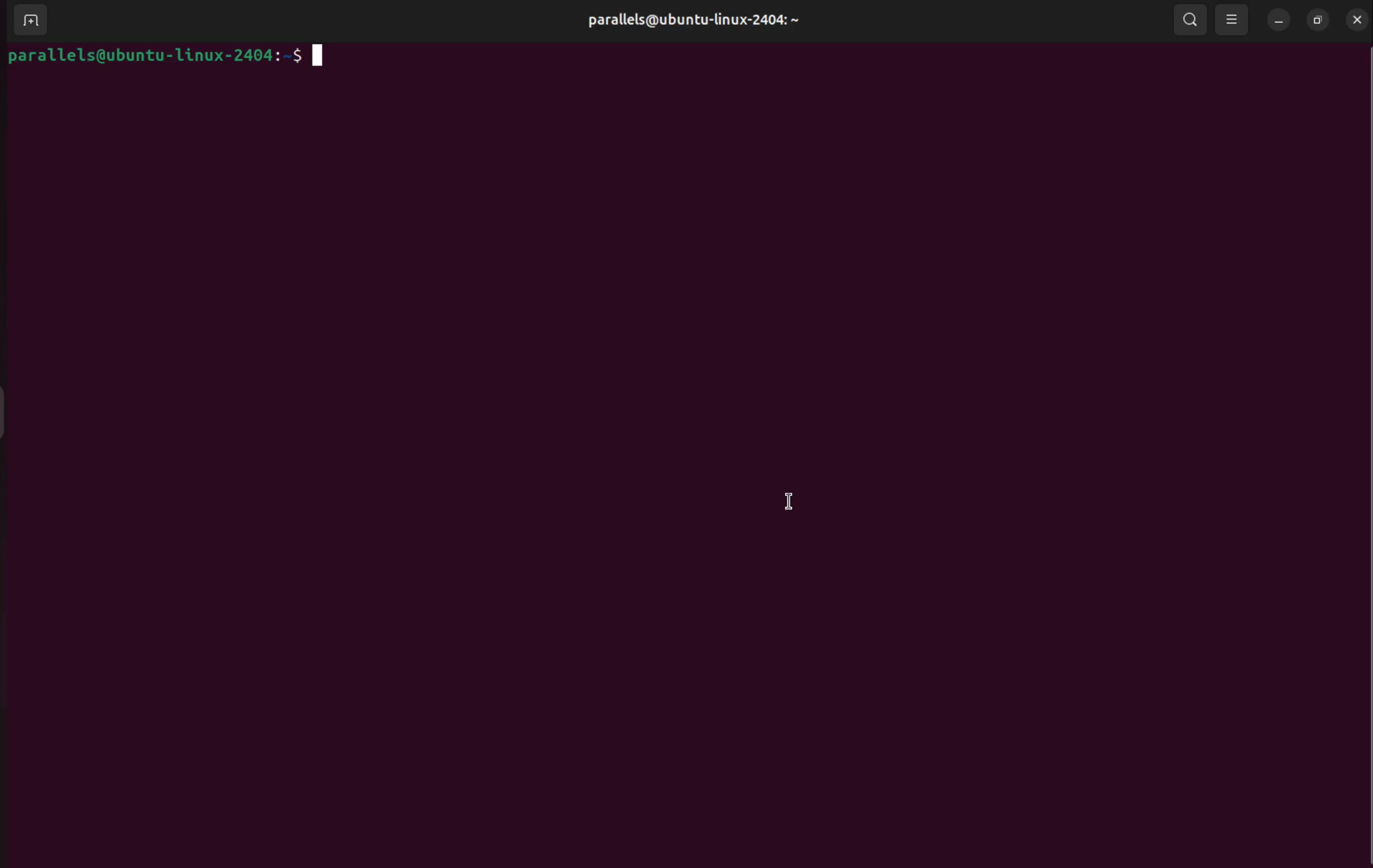  Describe the element at coordinates (168, 57) in the screenshot. I see `bash prompt` at that location.